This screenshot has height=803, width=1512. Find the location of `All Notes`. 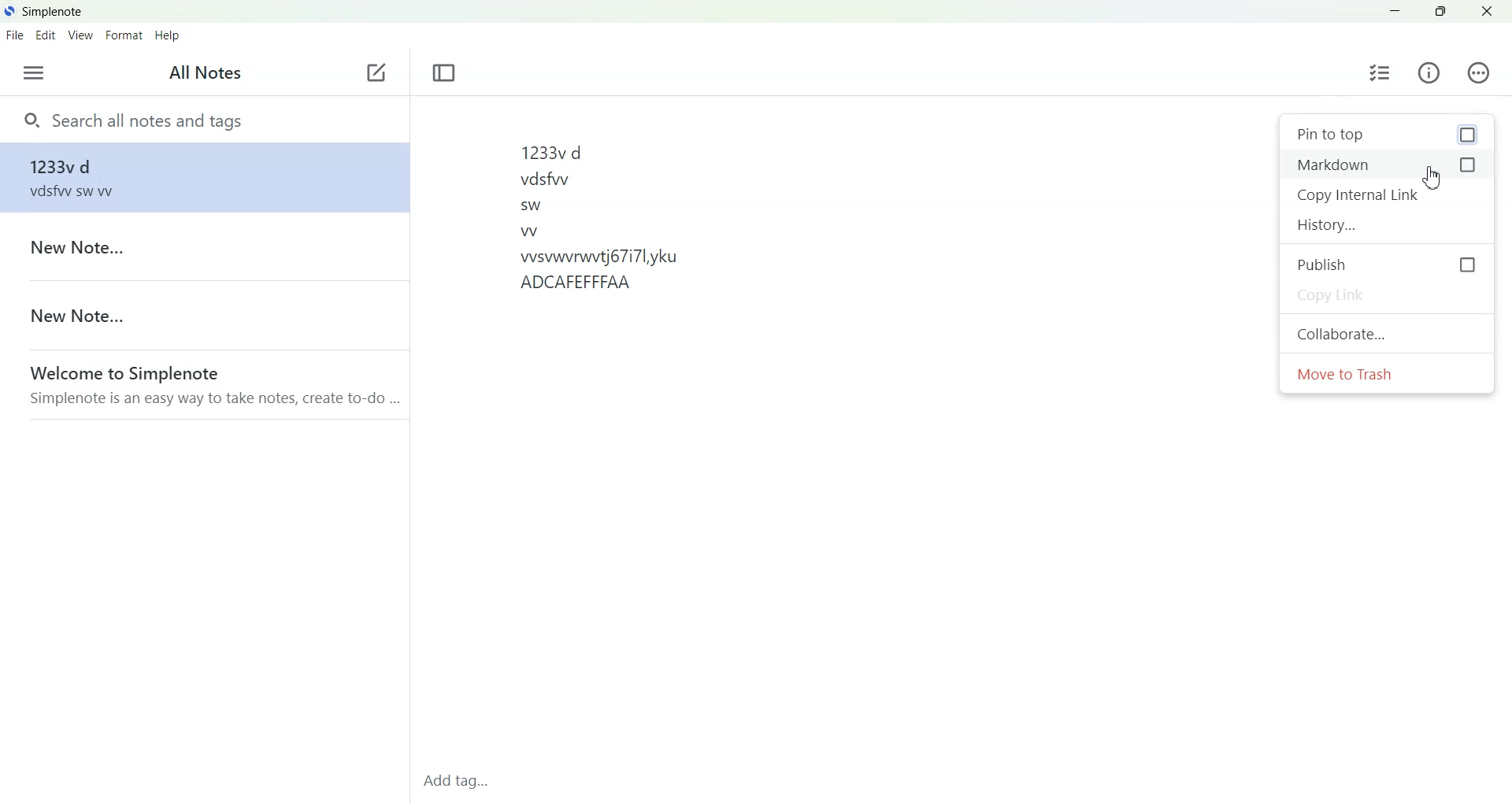

All Notes is located at coordinates (201, 74).